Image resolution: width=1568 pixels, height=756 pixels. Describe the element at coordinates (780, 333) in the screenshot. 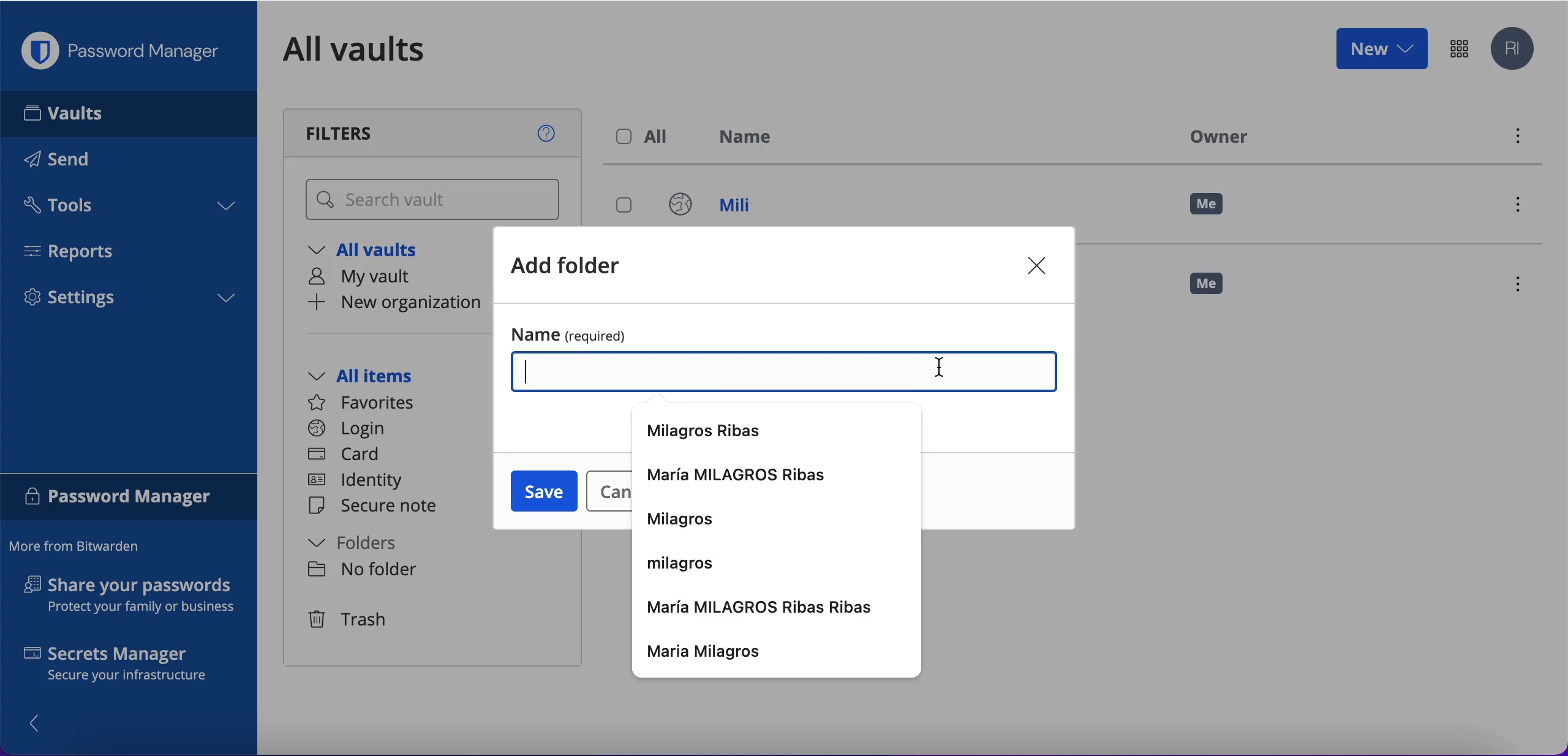

I see `name (required)` at that location.